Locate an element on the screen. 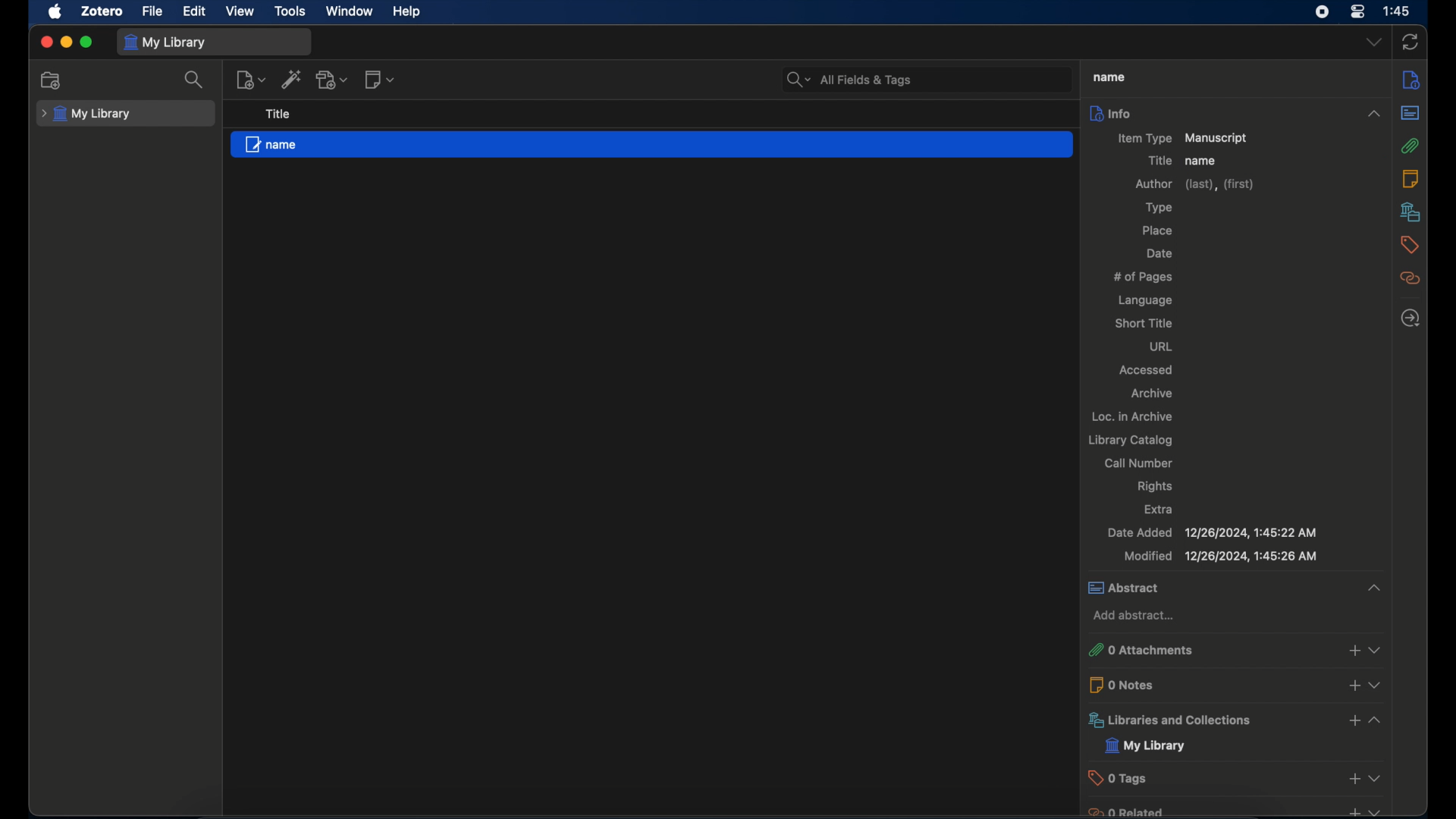 The width and height of the screenshot is (1456, 819). date added 12/26/2024, 1:45:22 AM is located at coordinates (1211, 533).